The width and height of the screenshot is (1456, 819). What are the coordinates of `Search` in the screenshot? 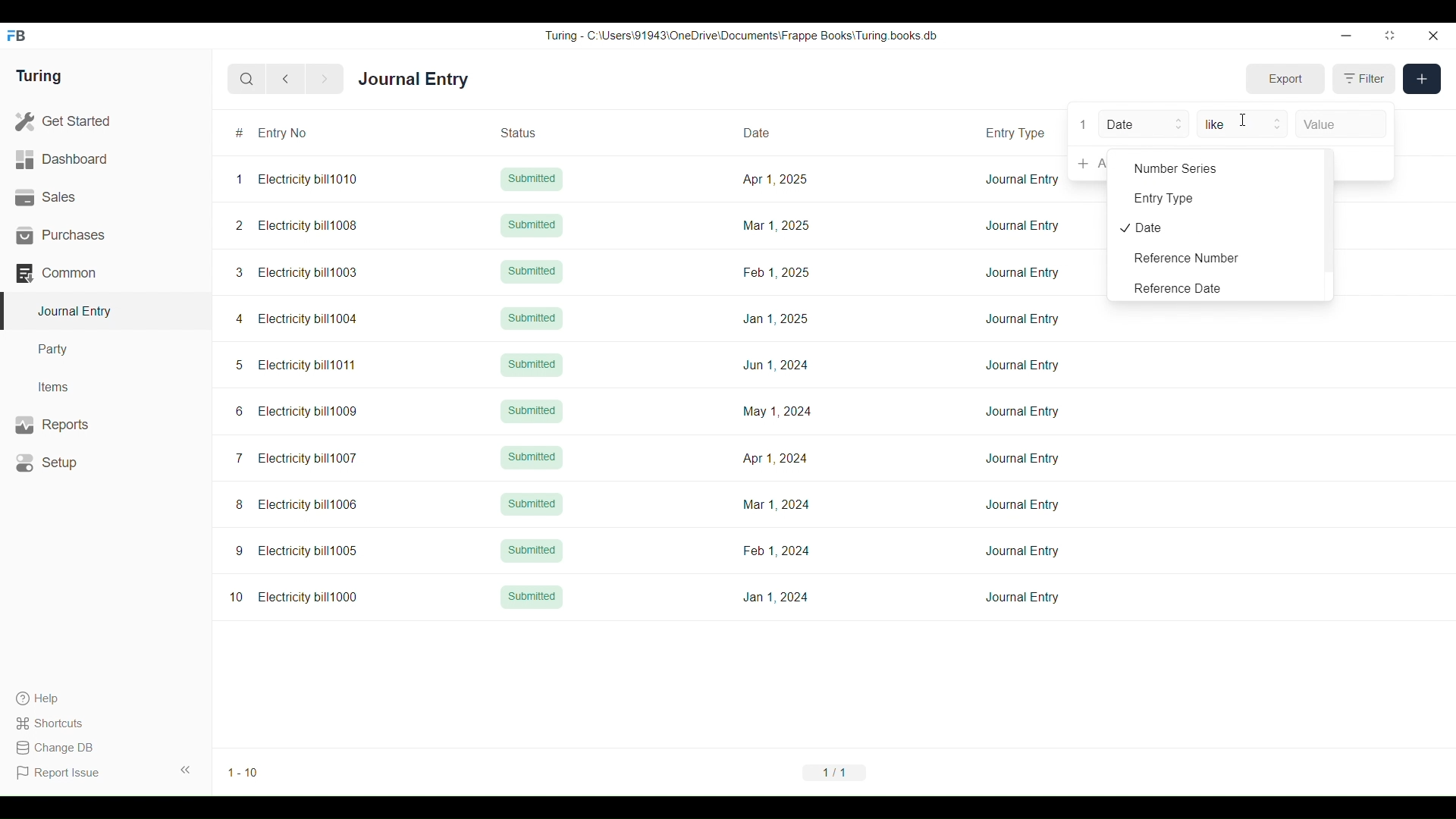 It's located at (246, 80).